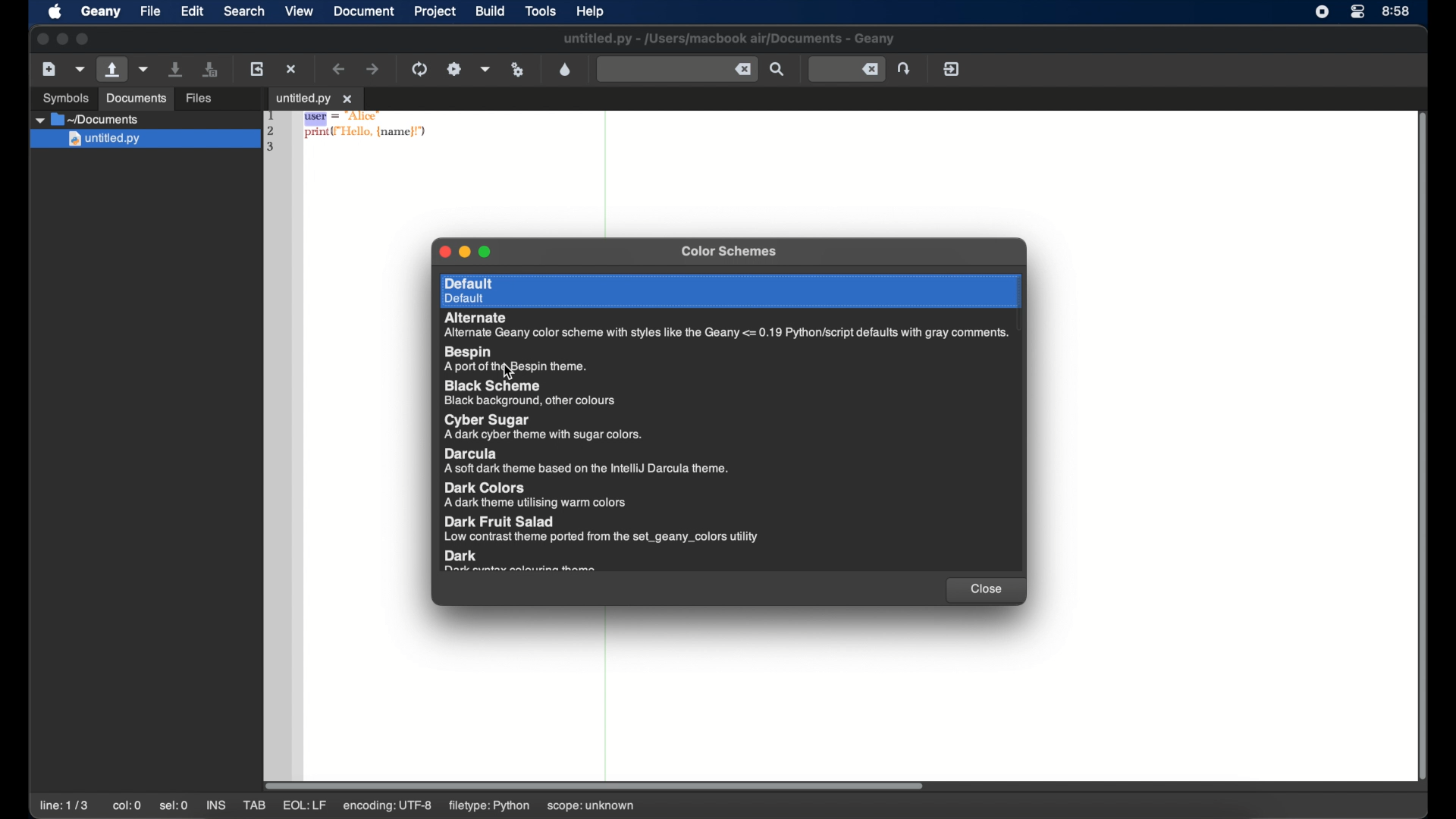 Image resolution: width=1456 pixels, height=819 pixels. Describe the element at coordinates (145, 69) in the screenshot. I see `open current file` at that location.